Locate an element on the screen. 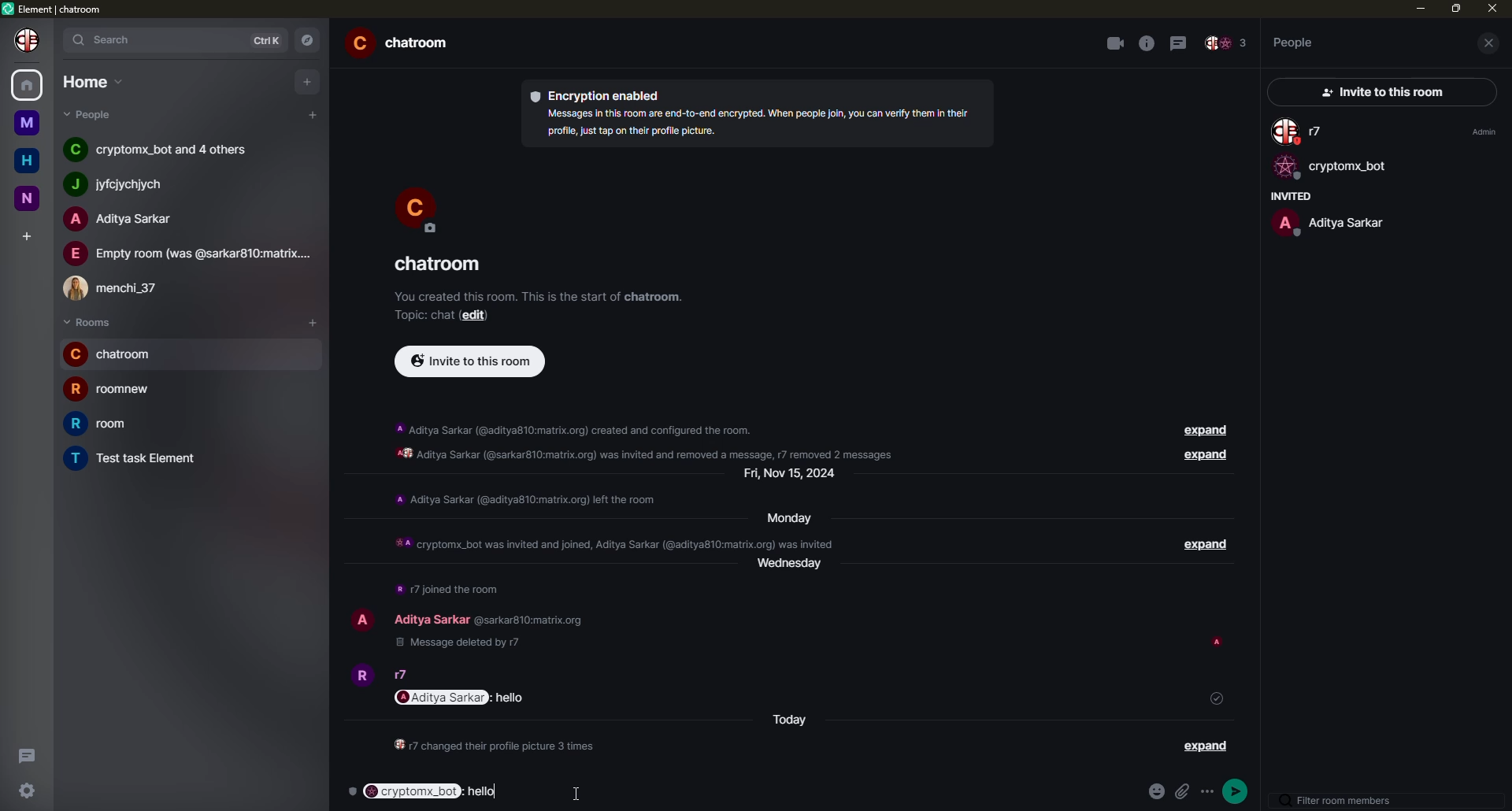 This screenshot has height=811, width=1512. people is located at coordinates (431, 619).